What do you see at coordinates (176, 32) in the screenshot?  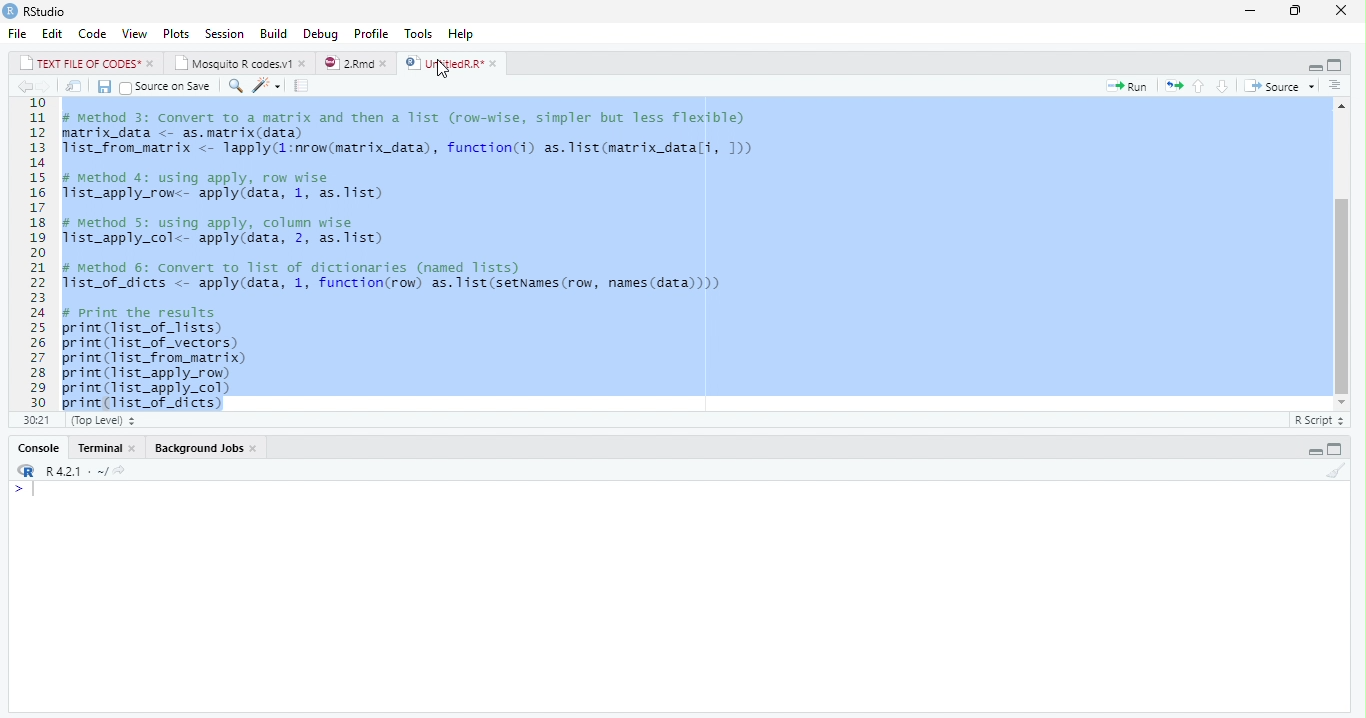 I see `Plots` at bounding box center [176, 32].